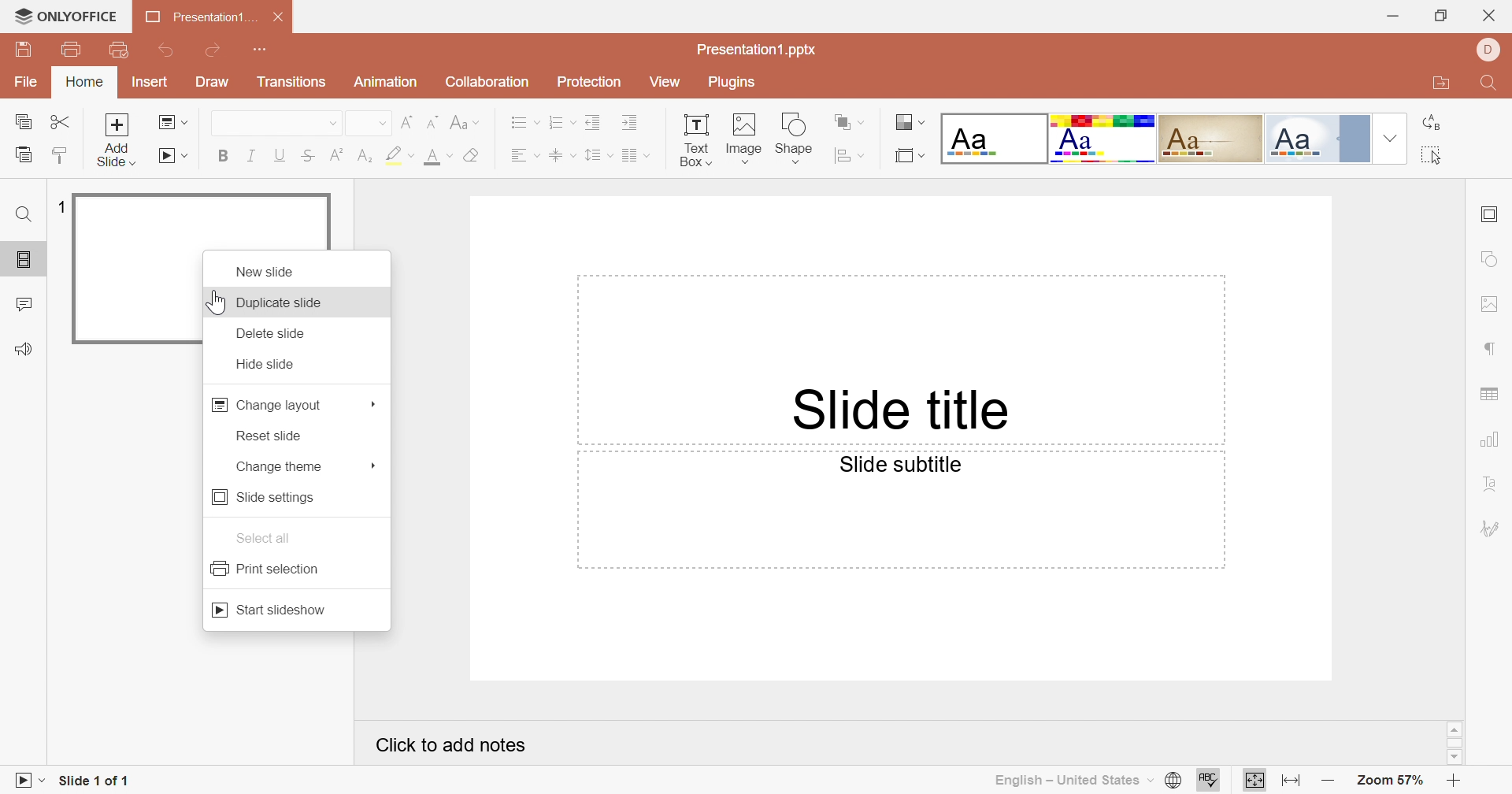 Image resolution: width=1512 pixels, height=794 pixels. What do you see at coordinates (261, 499) in the screenshot?
I see `Slide settings` at bounding box center [261, 499].